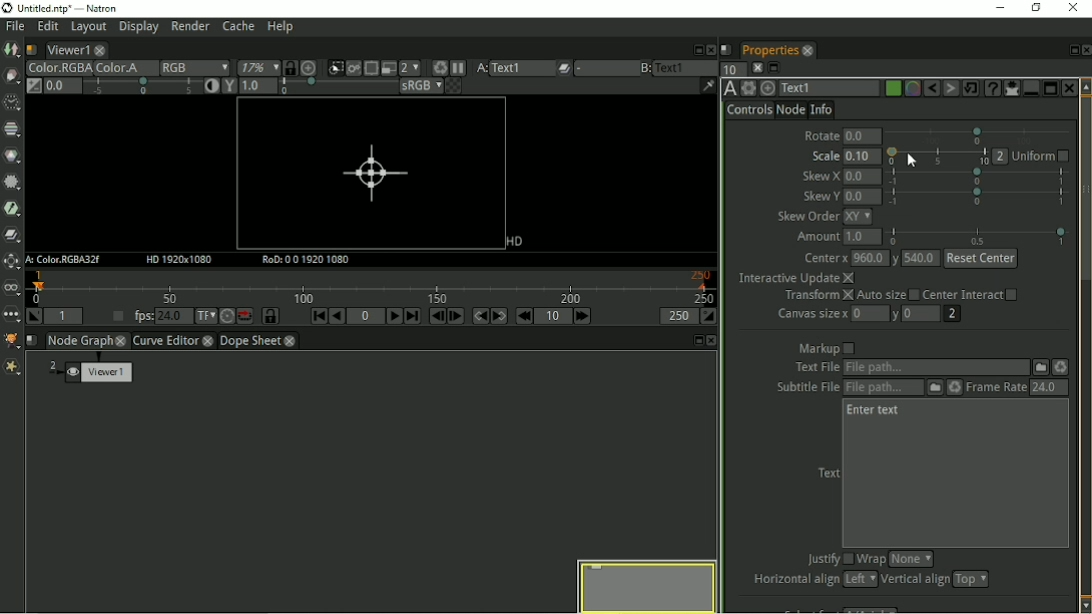 The width and height of the screenshot is (1092, 614). What do you see at coordinates (706, 87) in the screenshot?
I see `Show/hide information bar` at bounding box center [706, 87].